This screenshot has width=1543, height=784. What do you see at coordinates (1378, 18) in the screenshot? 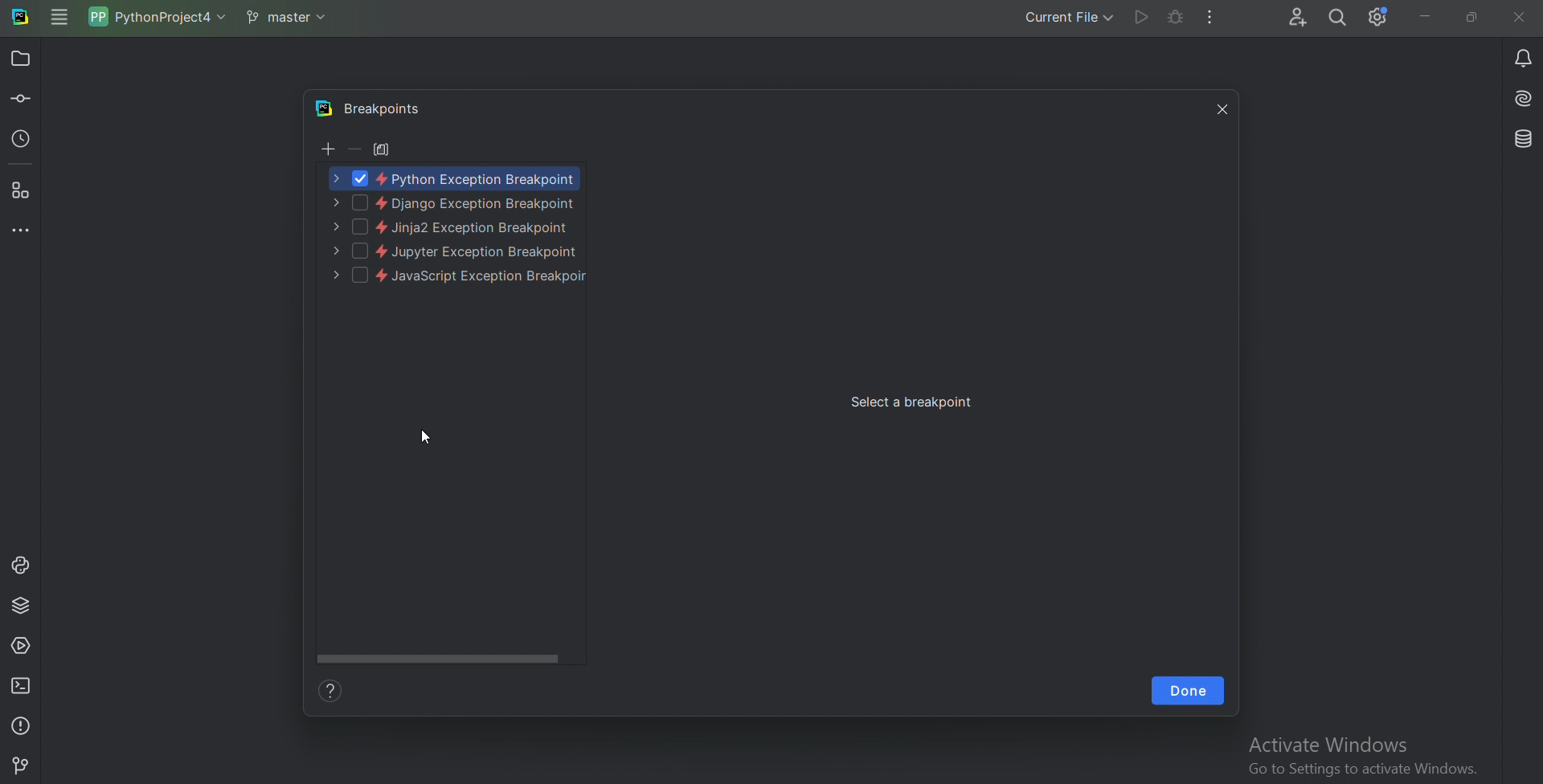
I see `Settings` at bounding box center [1378, 18].